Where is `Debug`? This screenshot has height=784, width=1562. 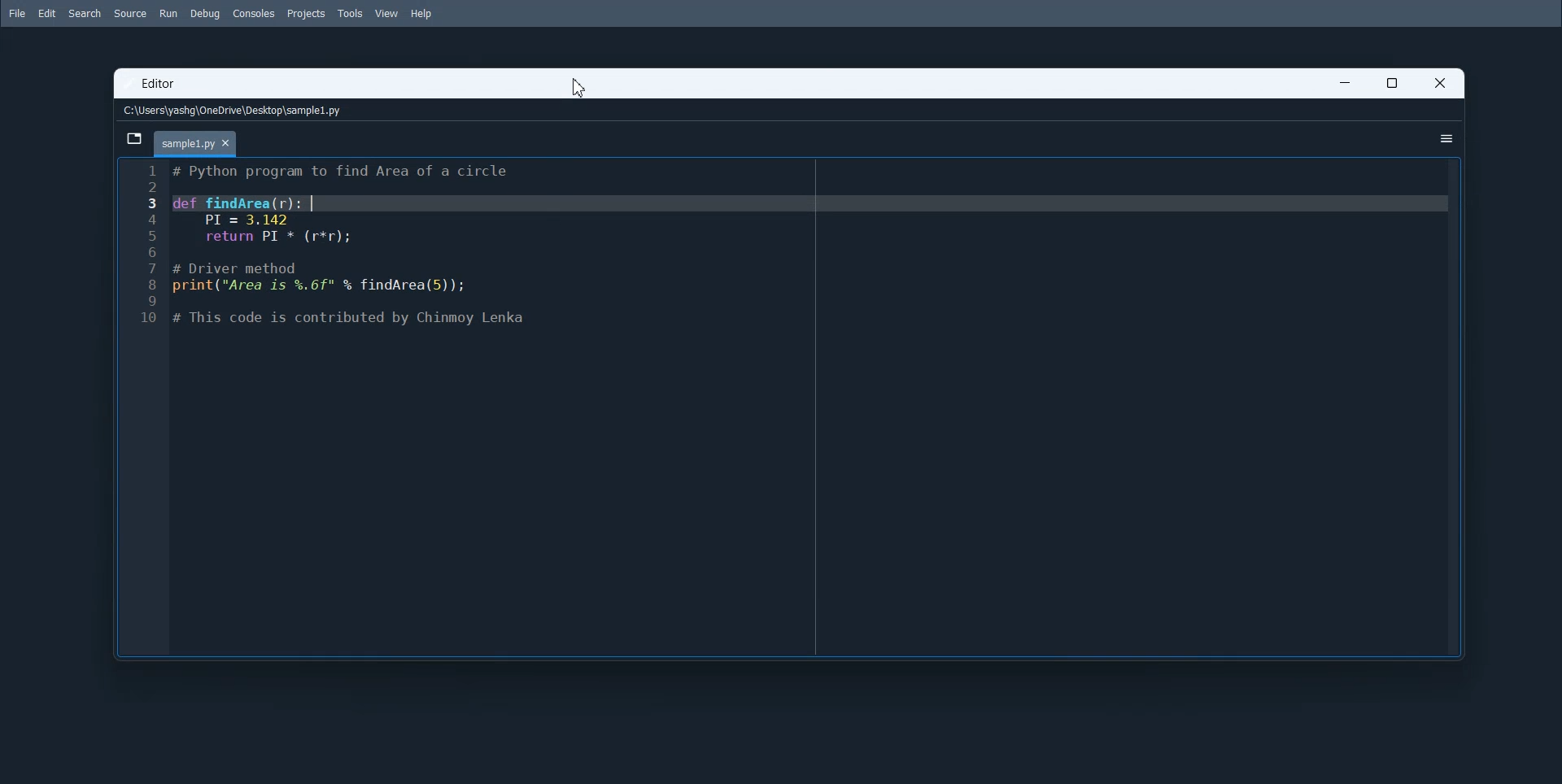
Debug is located at coordinates (205, 14).